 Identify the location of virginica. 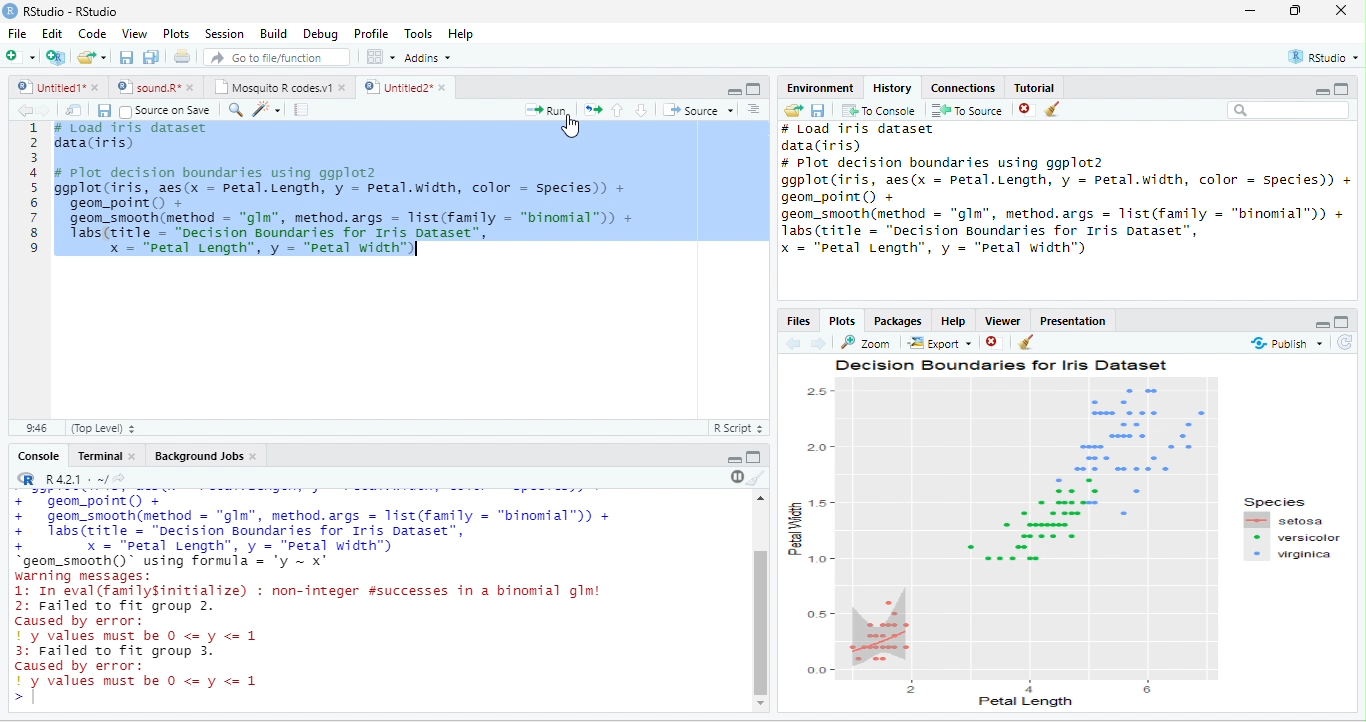
(1291, 554).